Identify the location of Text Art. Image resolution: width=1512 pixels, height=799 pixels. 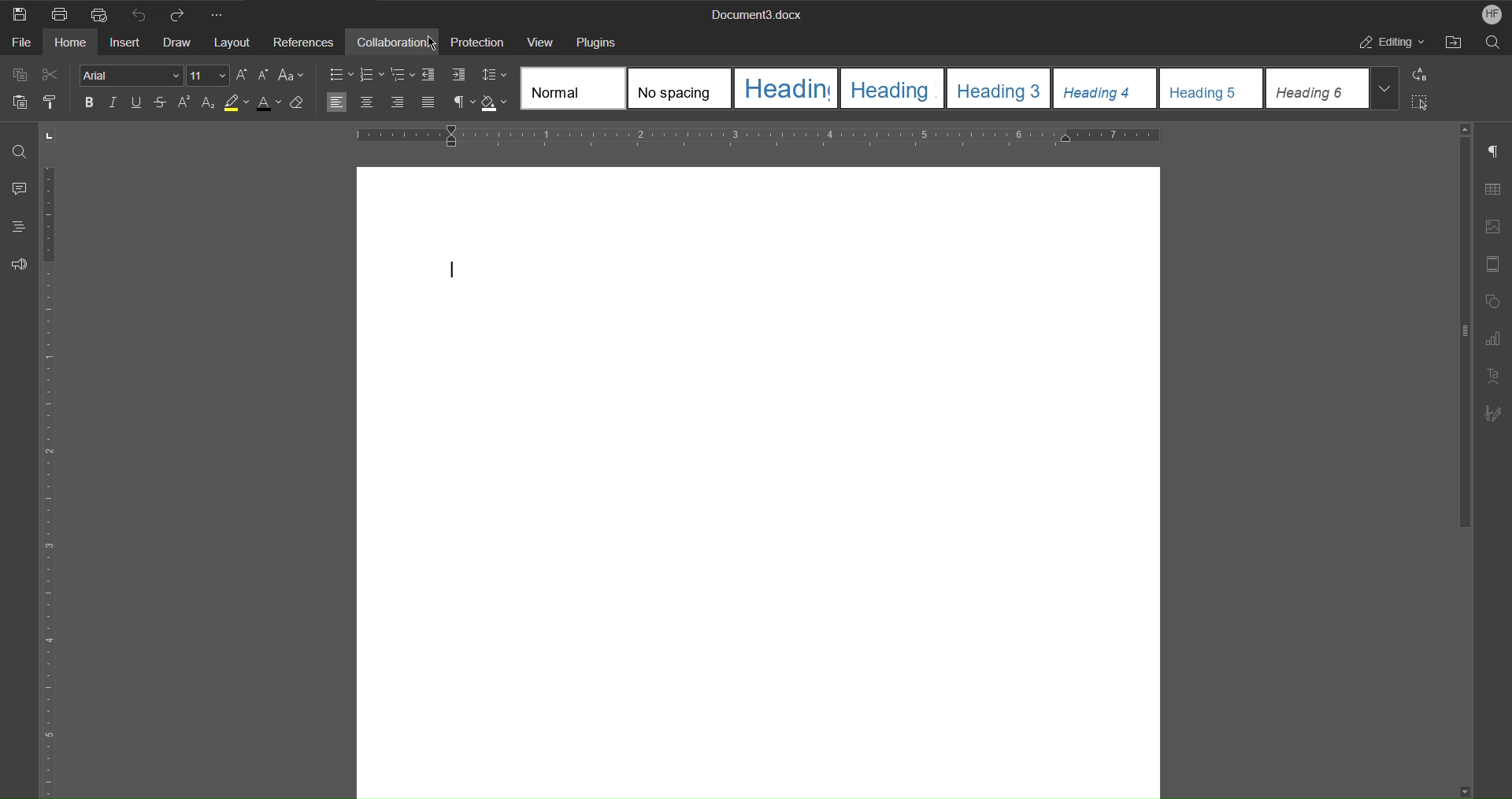
(1494, 376).